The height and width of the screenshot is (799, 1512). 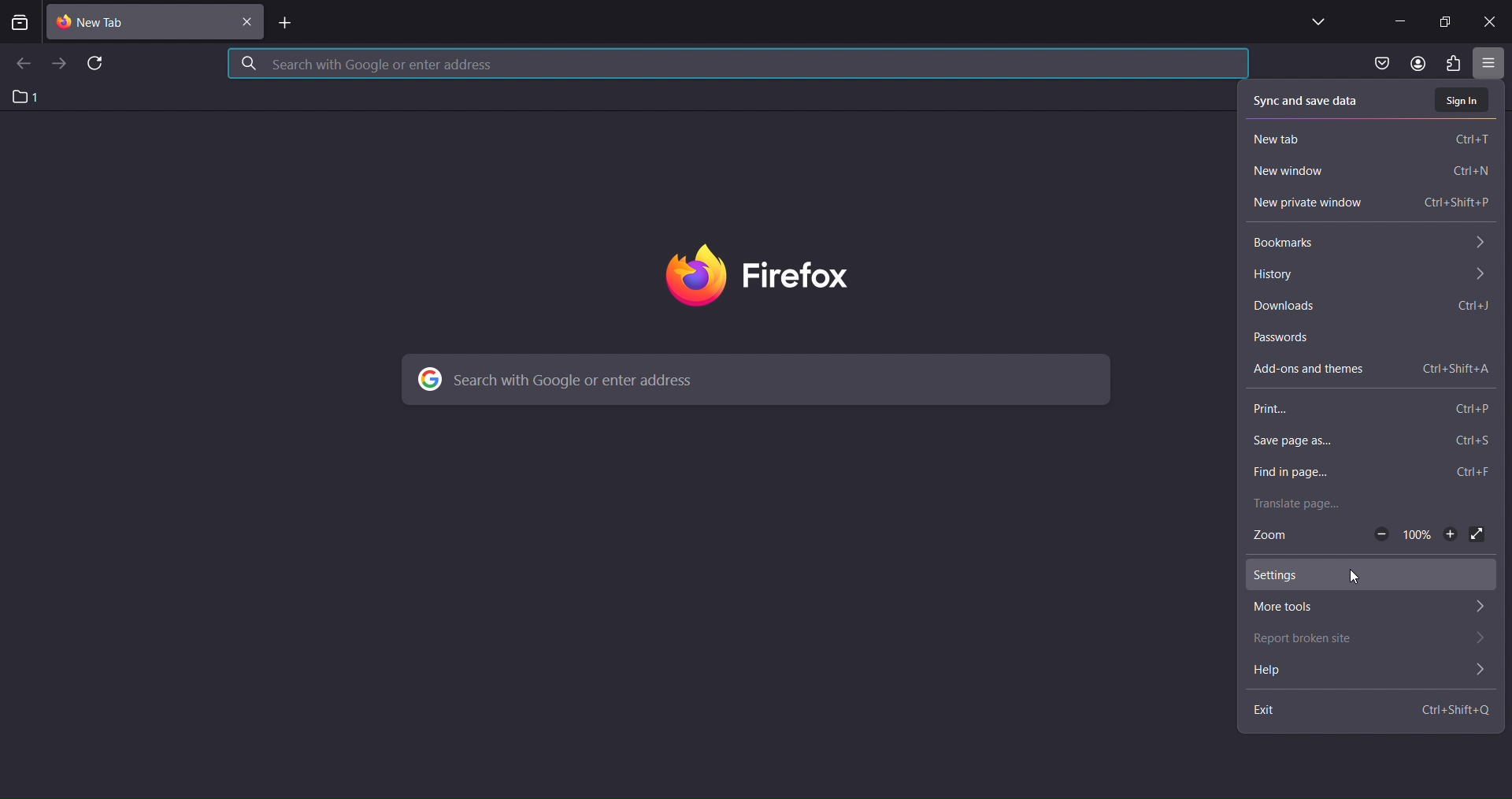 I want to click on minimze, so click(x=1404, y=22).